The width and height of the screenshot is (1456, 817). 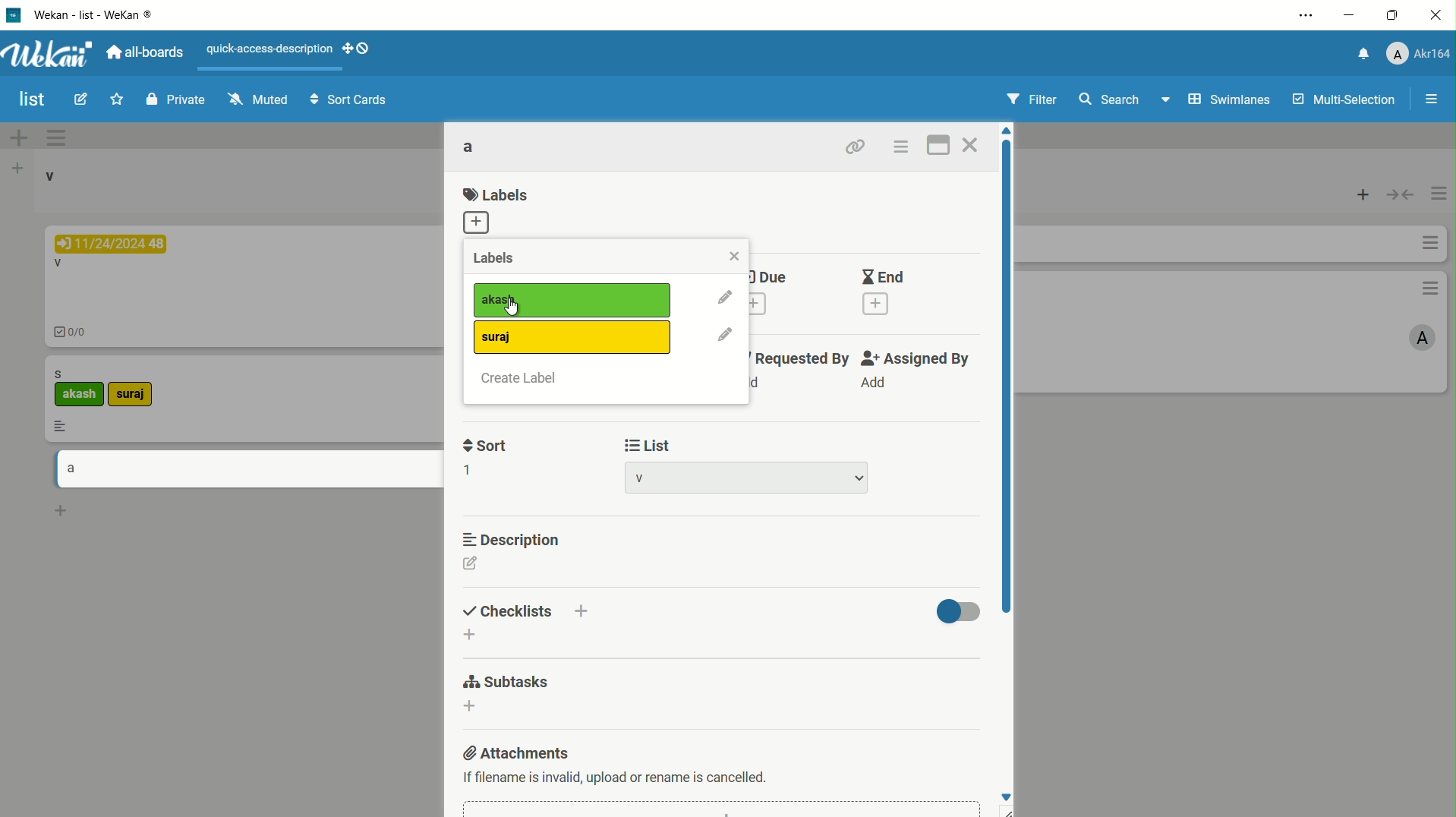 I want to click on copy link to clipboard, so click(x=852, y=147).